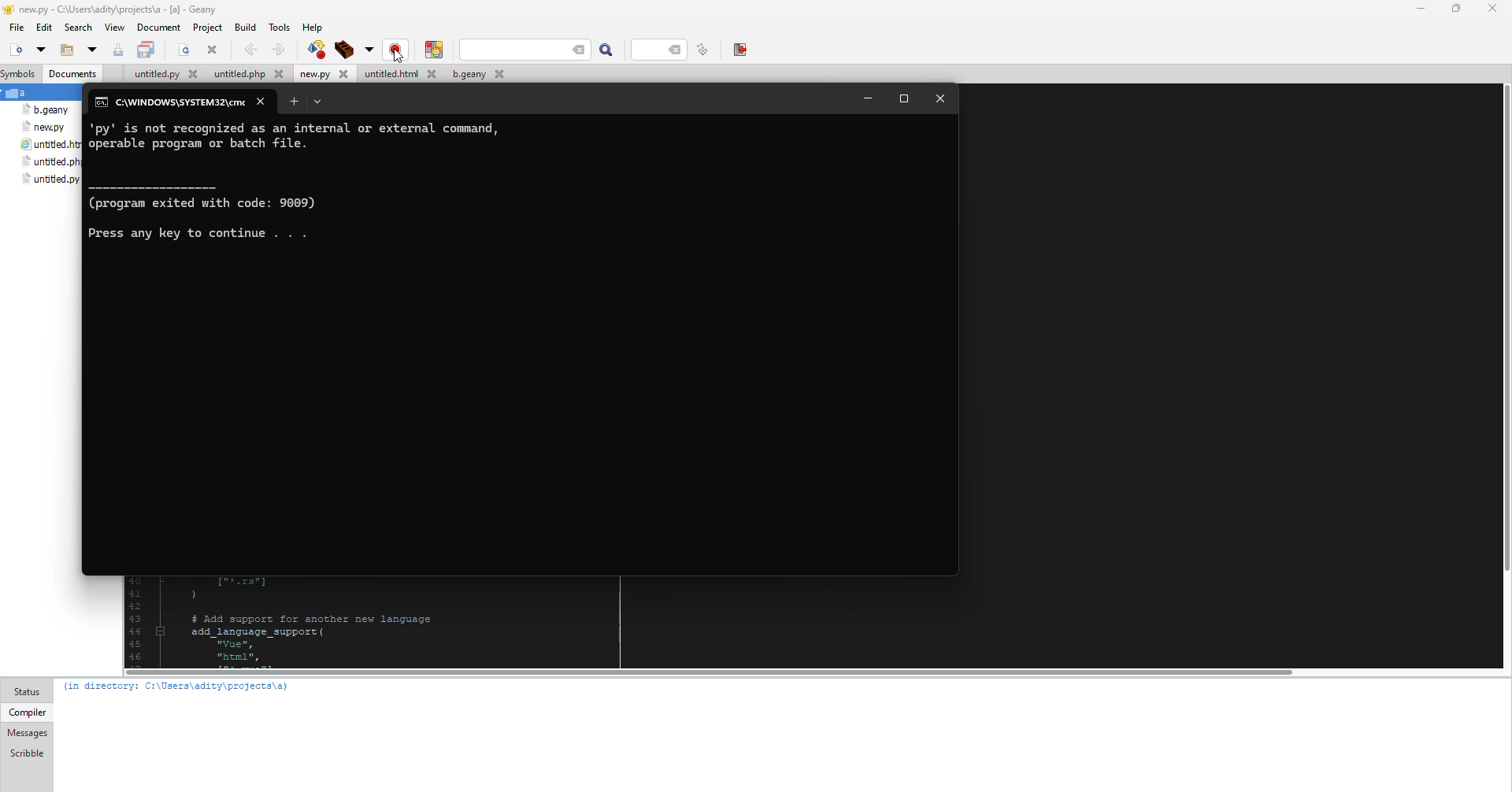  Describe the element at coordinates (941, 98) in the screenshot. I see `close` at that location.